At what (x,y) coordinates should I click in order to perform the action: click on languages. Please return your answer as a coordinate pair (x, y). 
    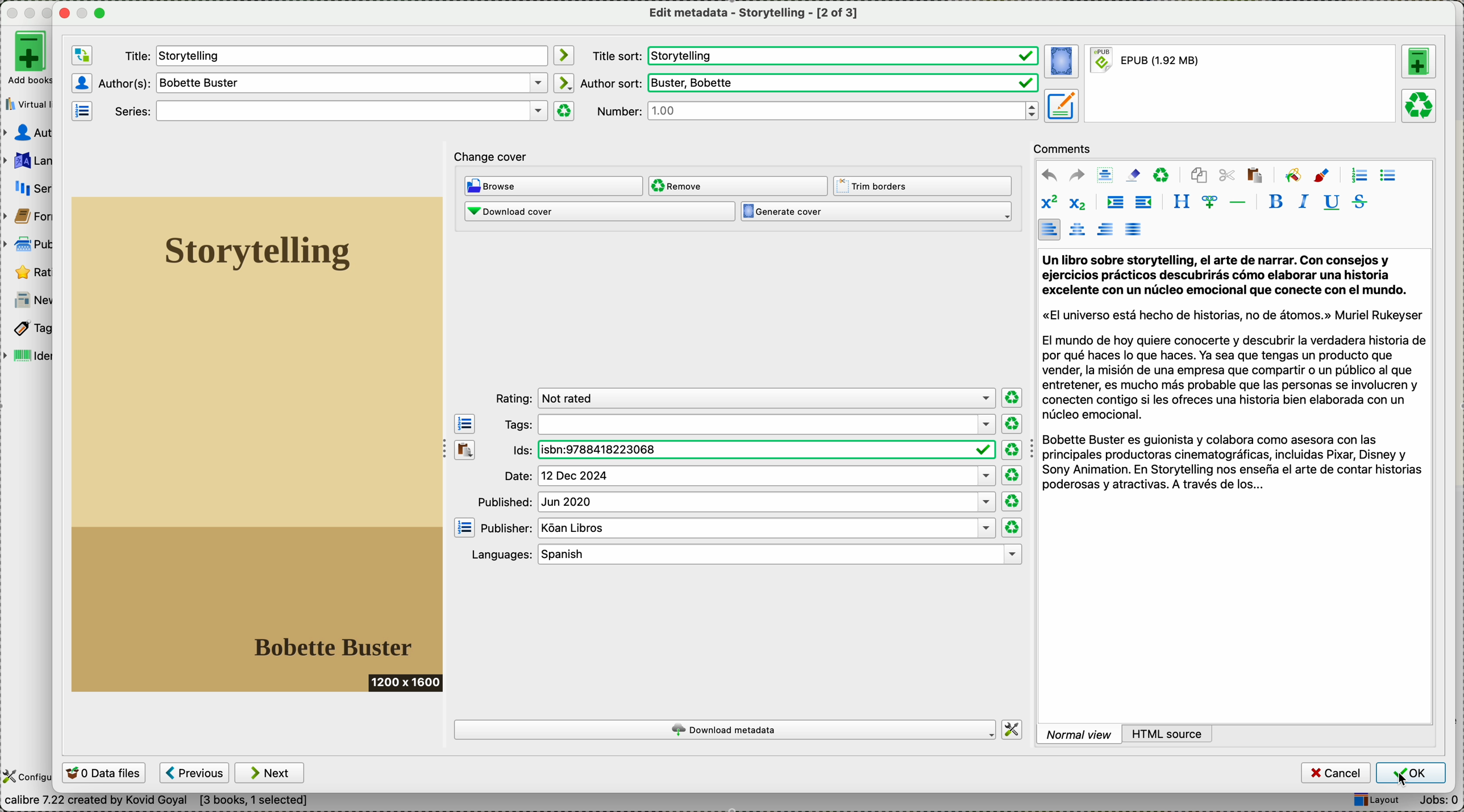
    Looking at the image, I should click on (747, 554).